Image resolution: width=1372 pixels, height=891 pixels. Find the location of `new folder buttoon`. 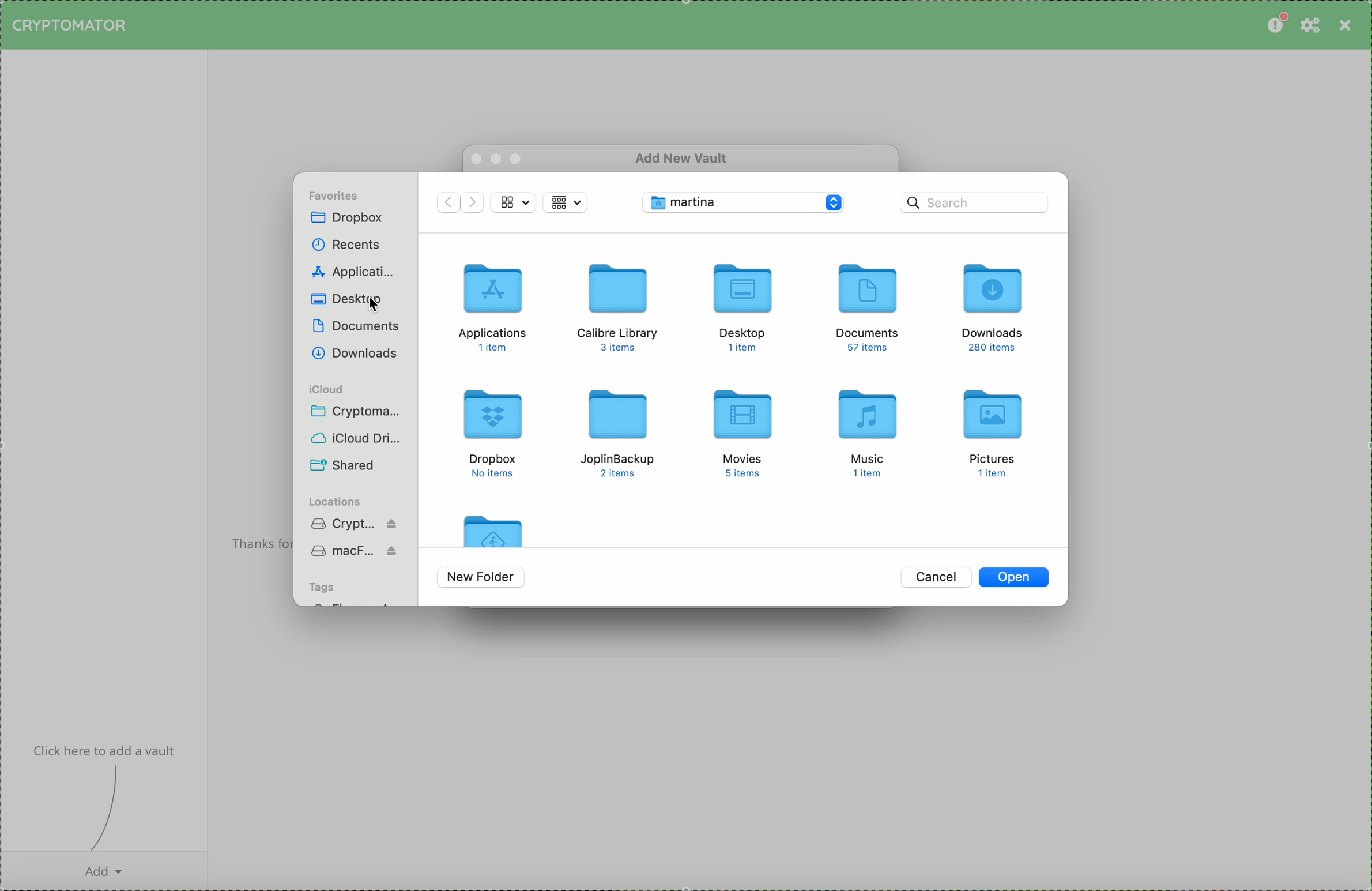

new folder buttoon is located at coordinates (484, 578).